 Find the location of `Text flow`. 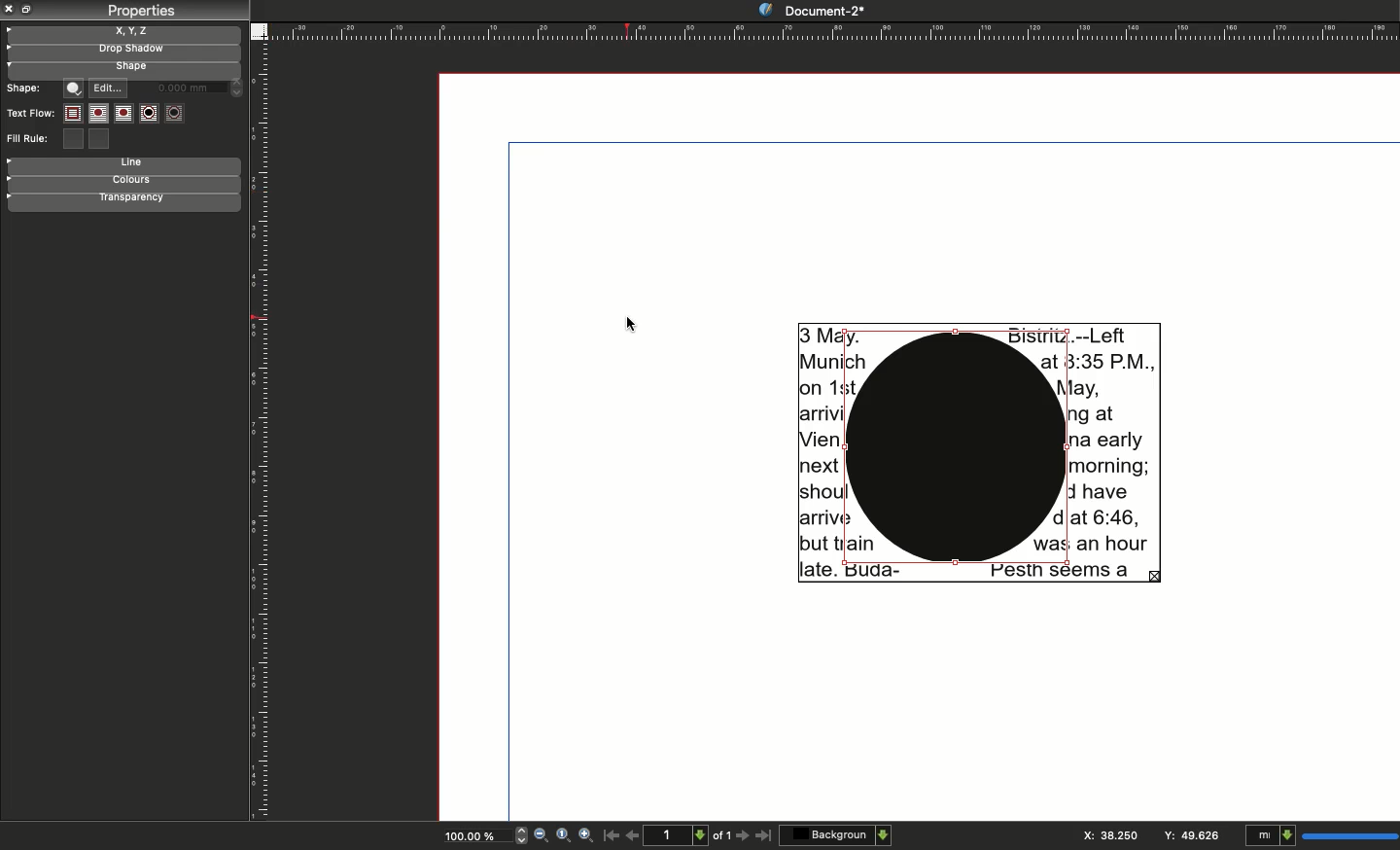

Text flow is located at coordinates (29, 114).